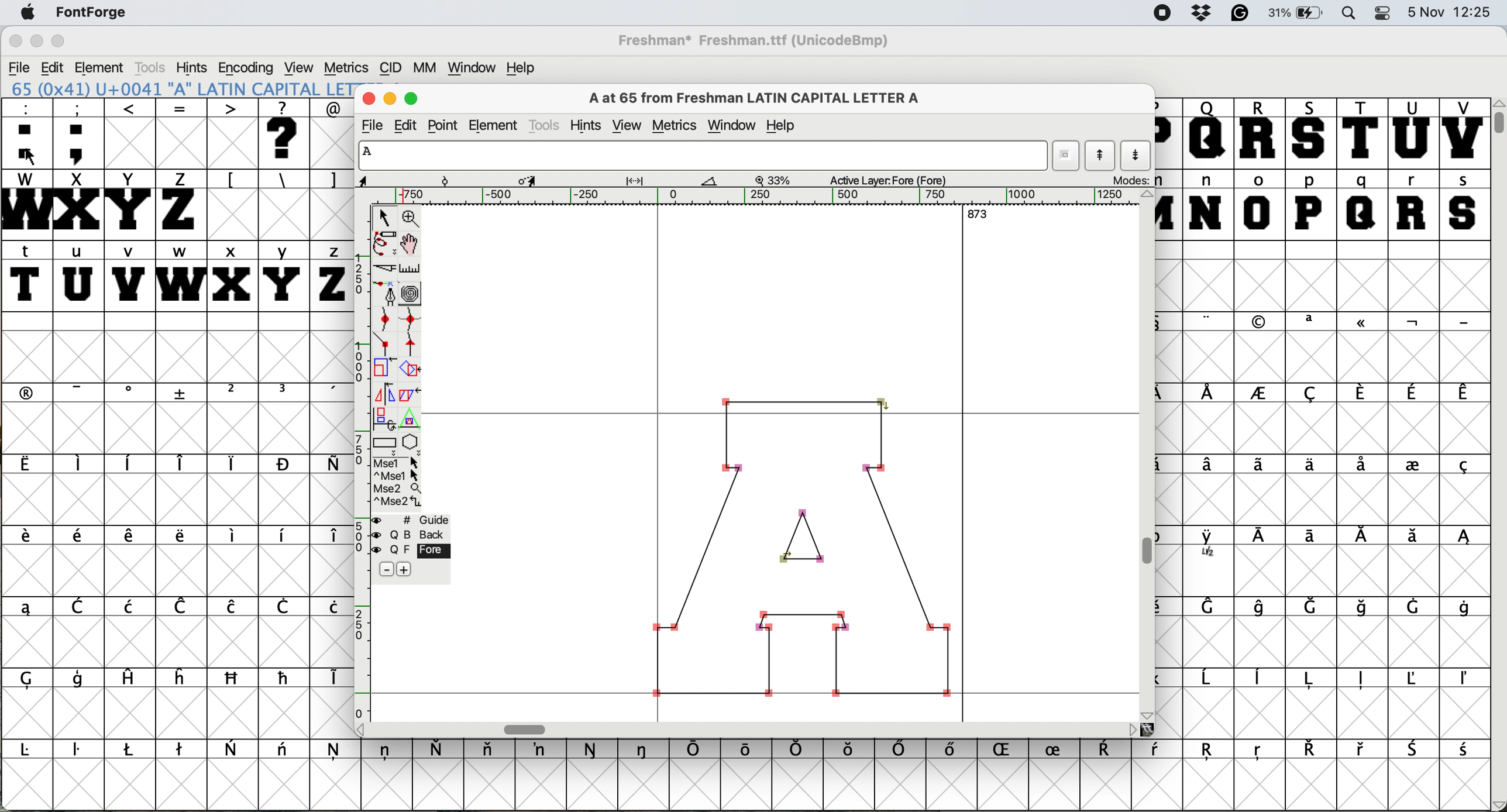  I want to click on X, so click(78, 205).